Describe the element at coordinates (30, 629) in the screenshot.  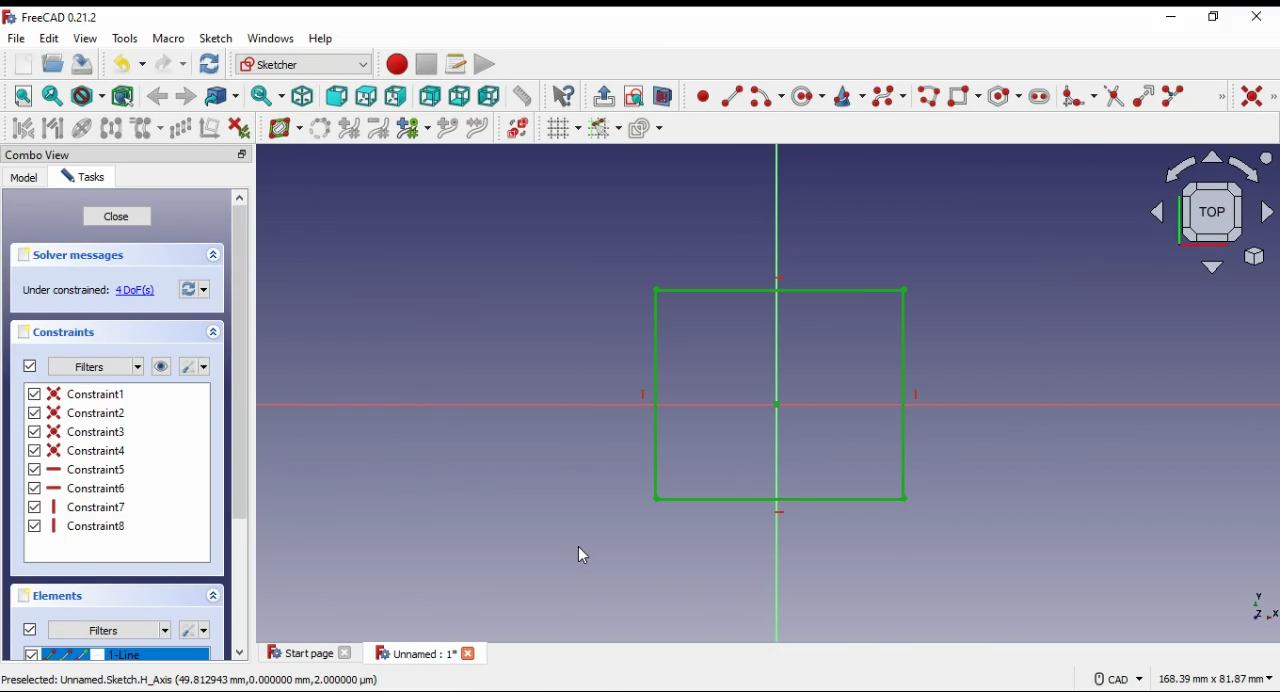
I see `on/off elements` at that location.